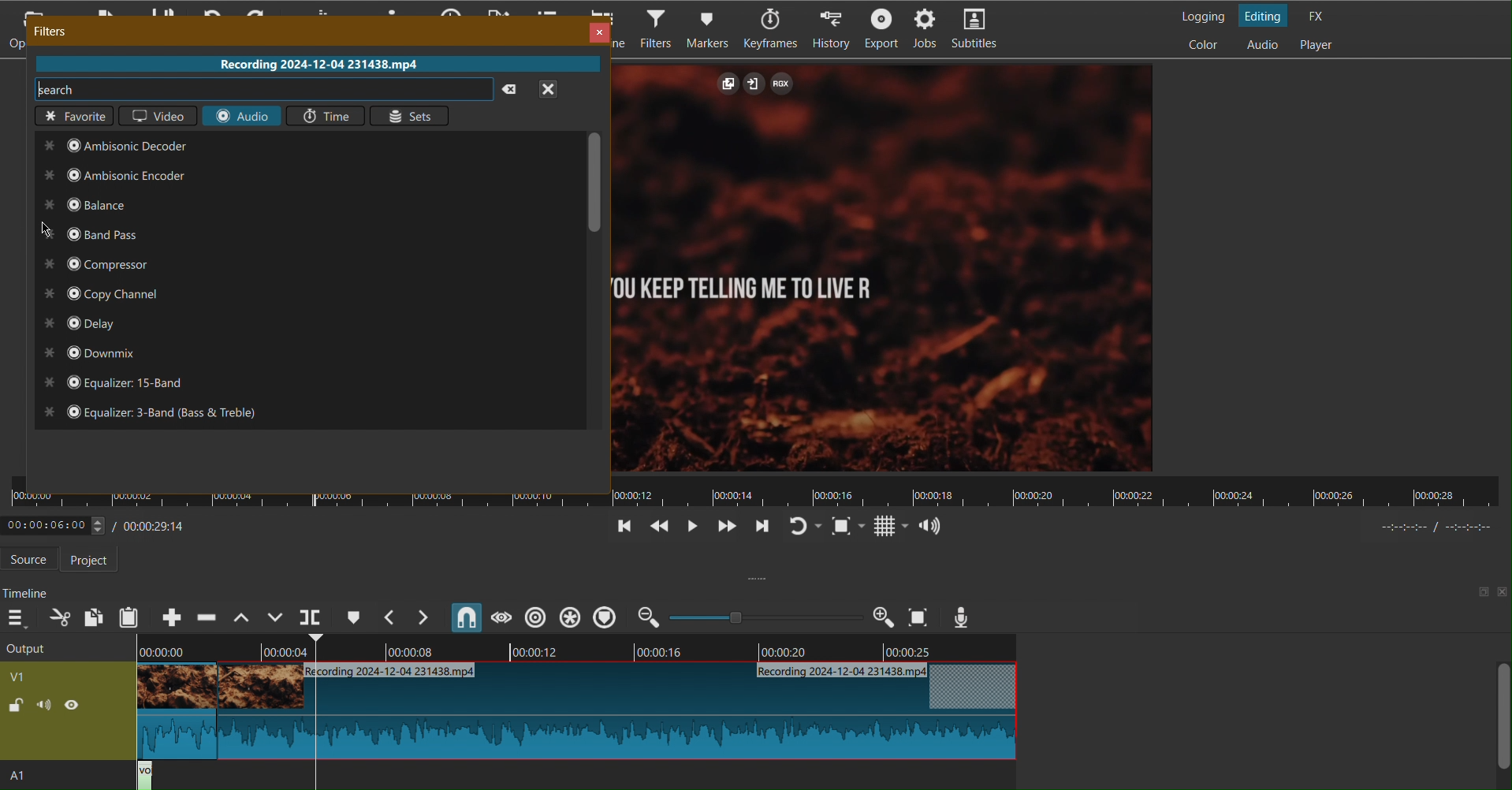 The width and height of the screenshot is (1512, 790). I want to click on Source, so click(28, 559).